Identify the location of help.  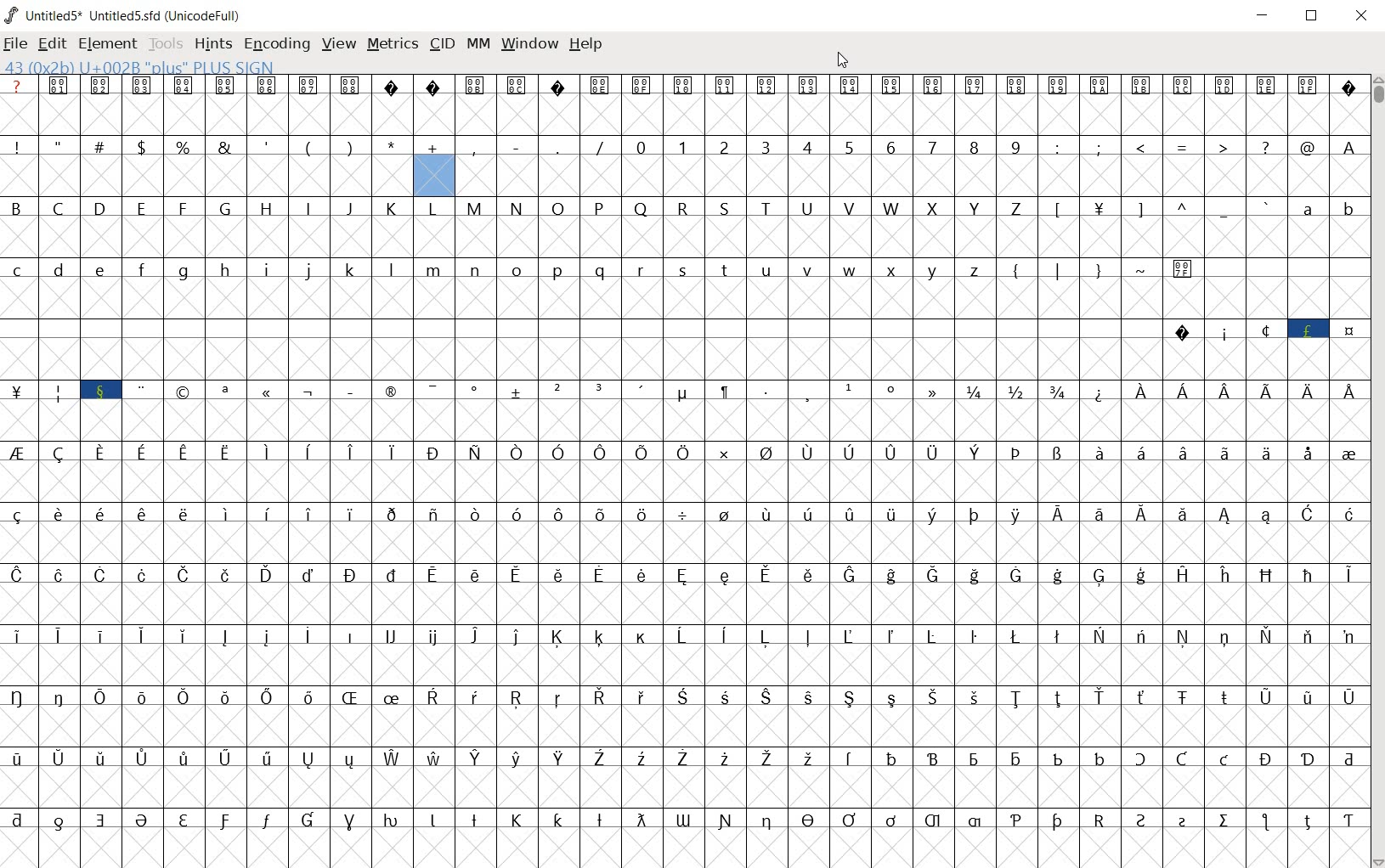
(586, 45).